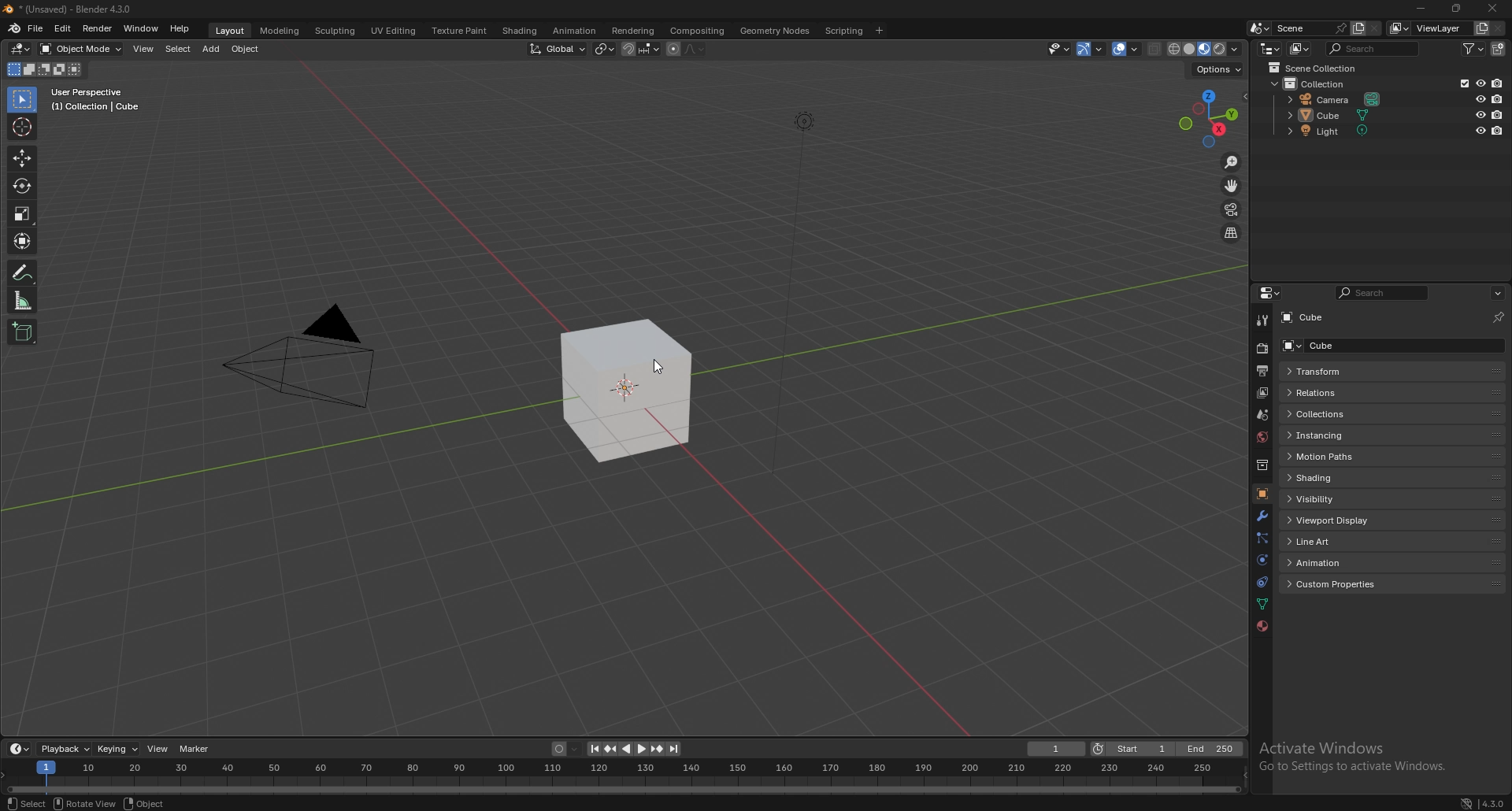  I want to click on constraints, so click(1260, 582).